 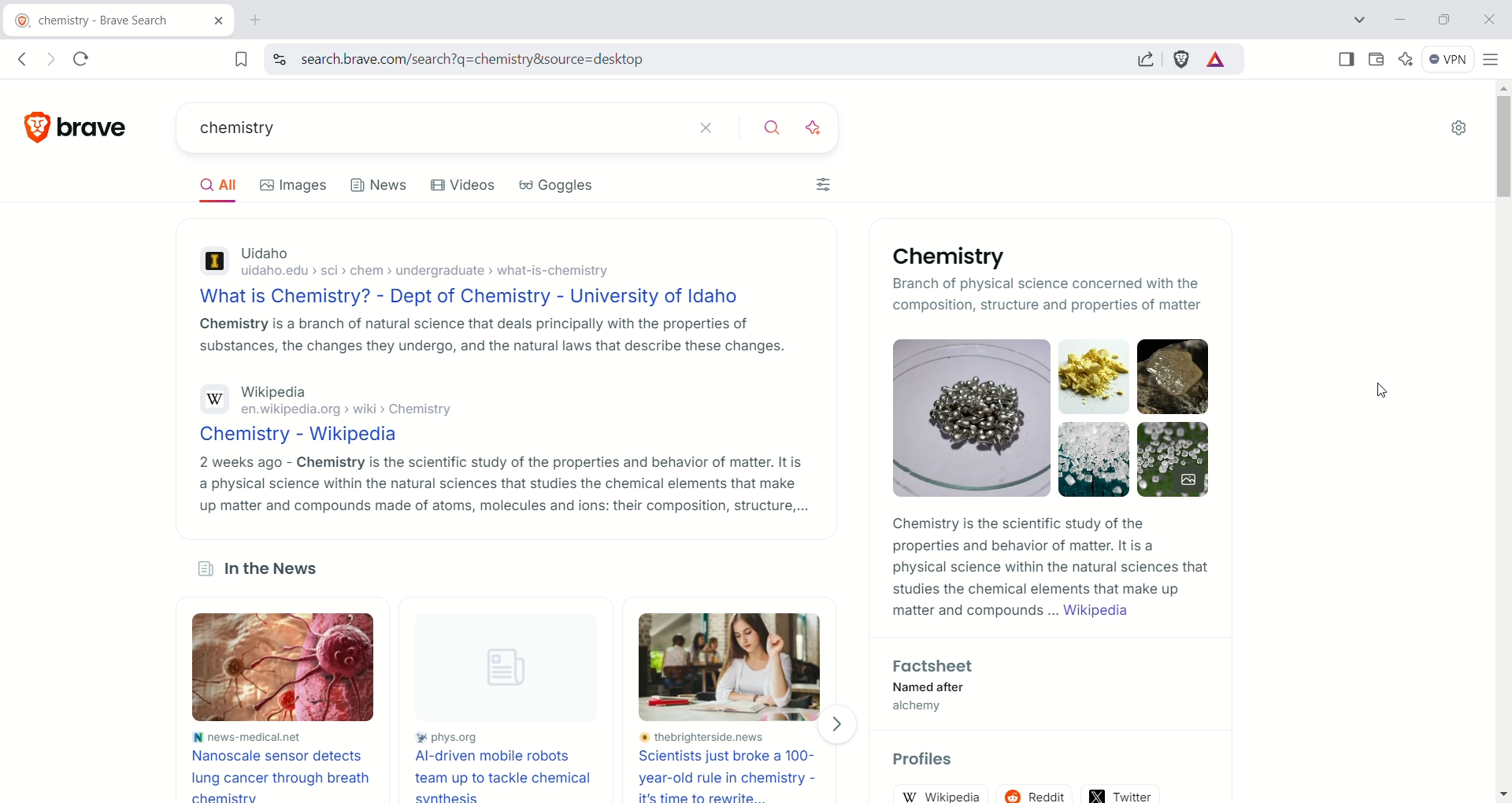 I want to click on Chemistry is the scientific study of the
properties and behavior of matter. It is a
physical science within the natural sciences that
studies the chemical elements that make up
matter and compounds ... Wikipedia

2 9, so click(x=1047, y=572).